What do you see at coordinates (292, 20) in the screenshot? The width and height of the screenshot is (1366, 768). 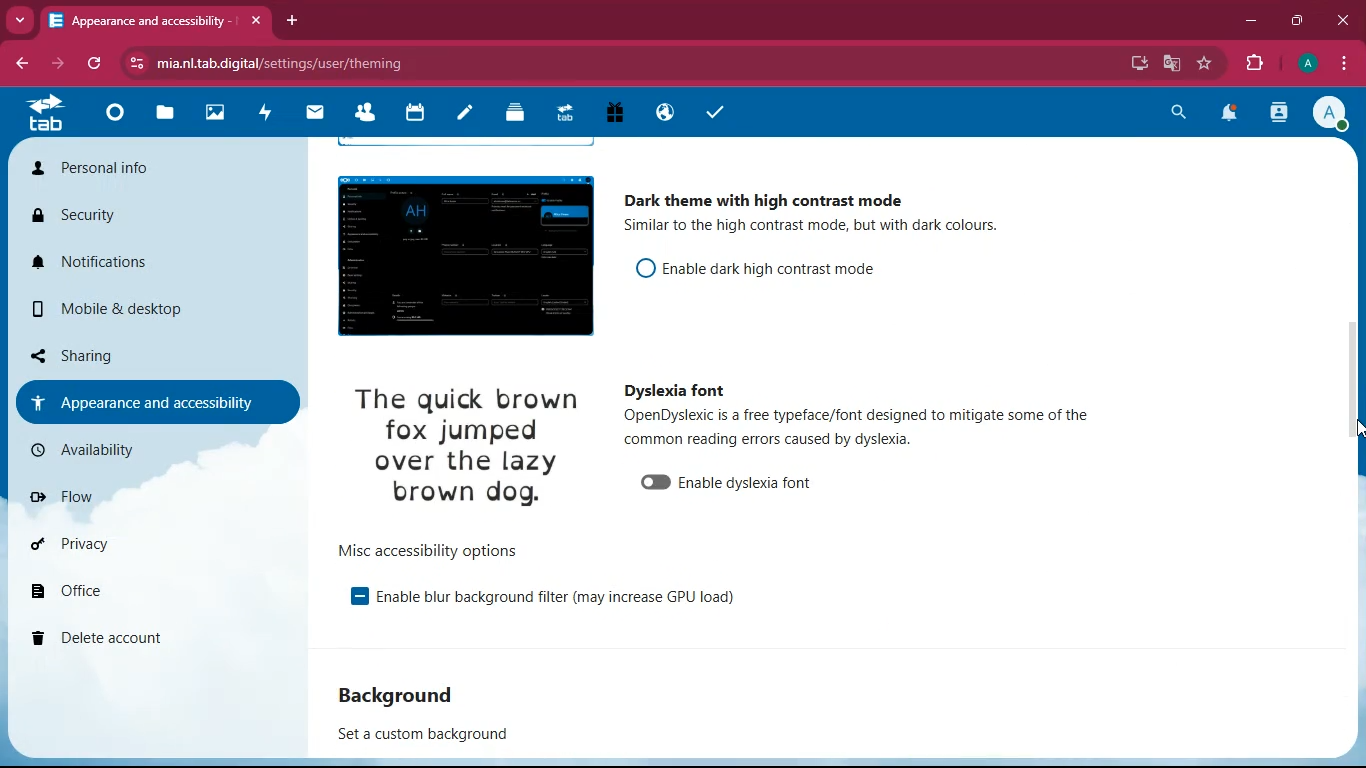 I see `add tab` at bounding box center [292, 20].